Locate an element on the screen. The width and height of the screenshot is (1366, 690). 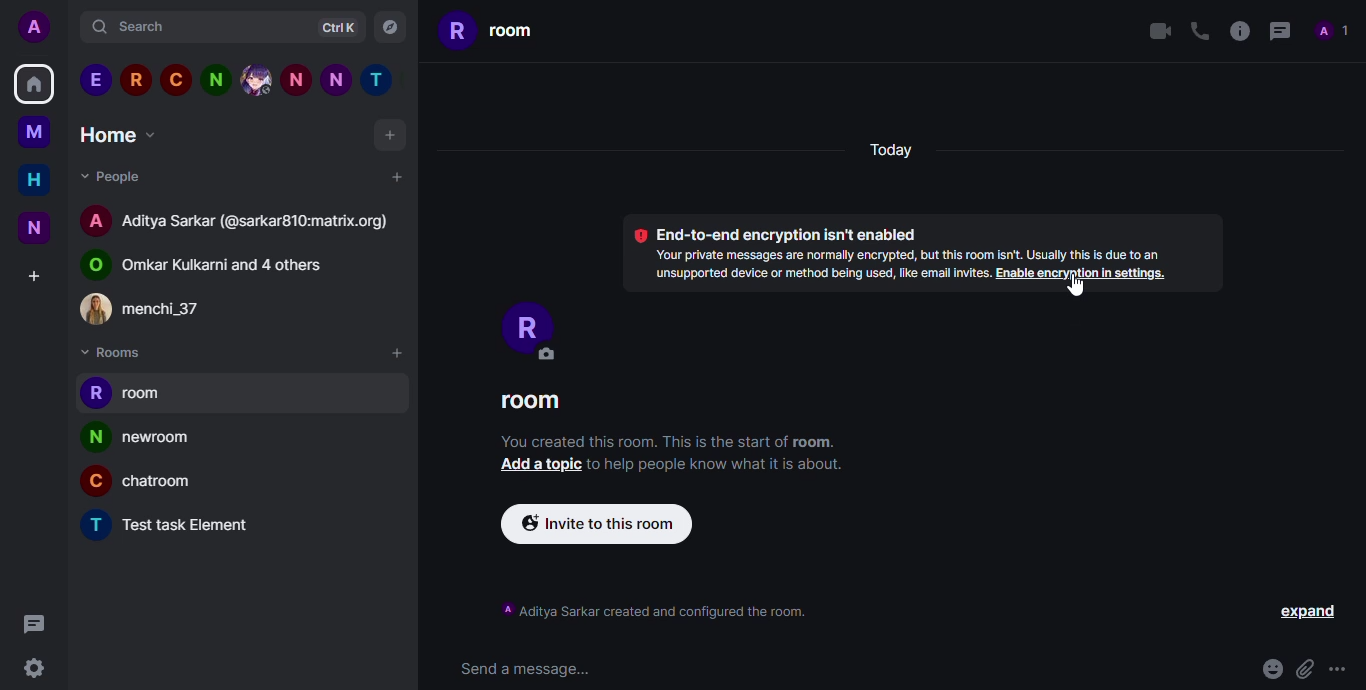
add is located at coordinates (395, 178).